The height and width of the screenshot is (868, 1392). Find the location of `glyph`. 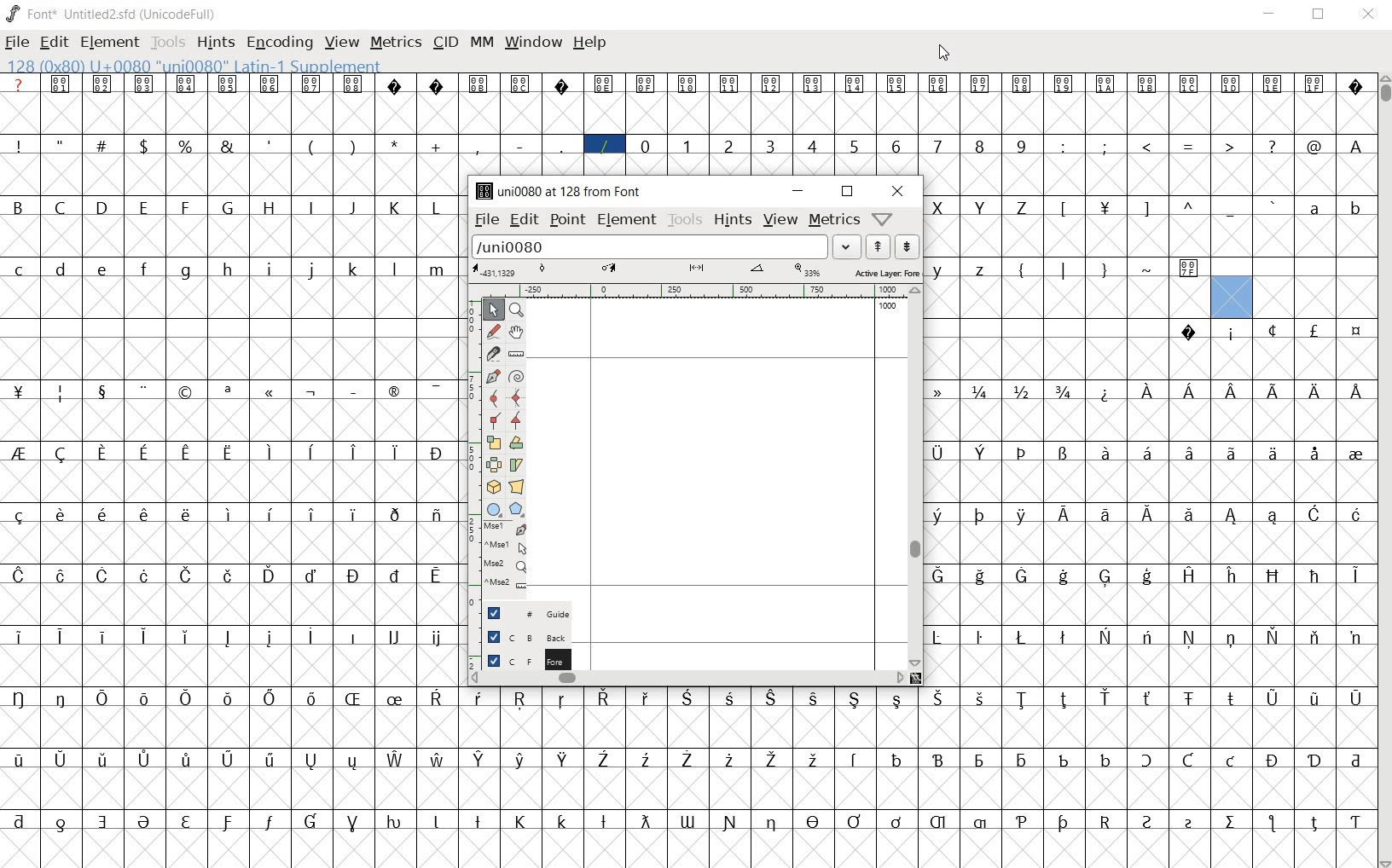

glyph is located at coordinates (896, 84).